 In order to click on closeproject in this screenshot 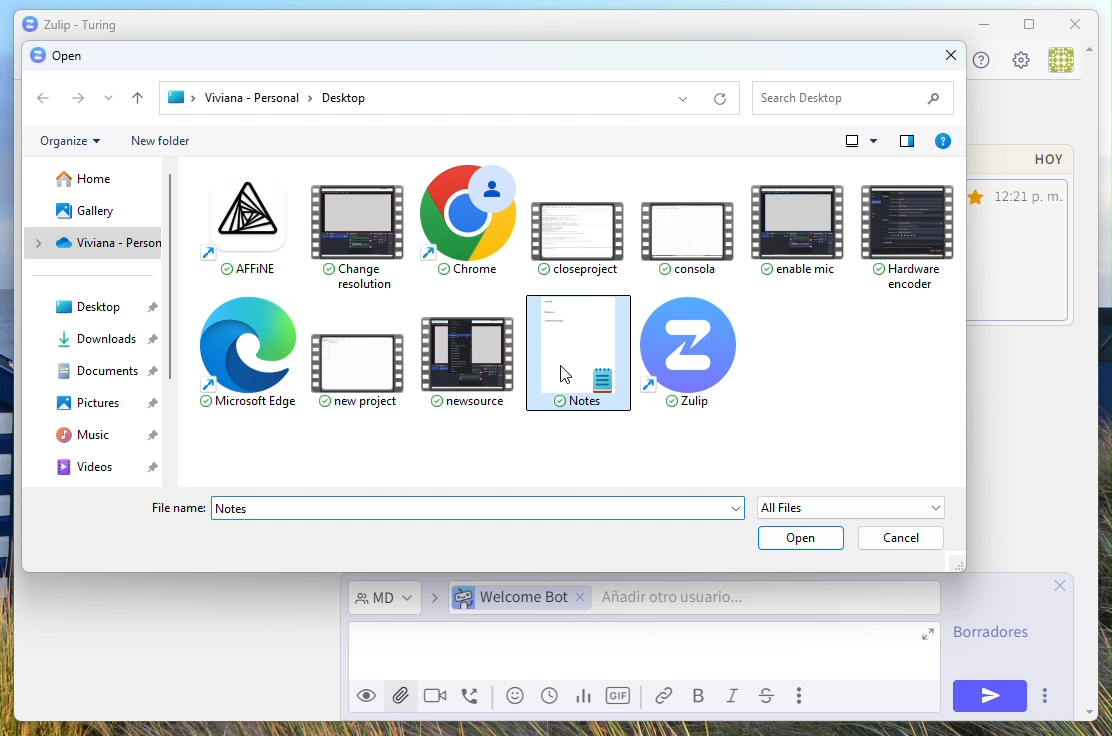, I will do `click(577, 230)`.